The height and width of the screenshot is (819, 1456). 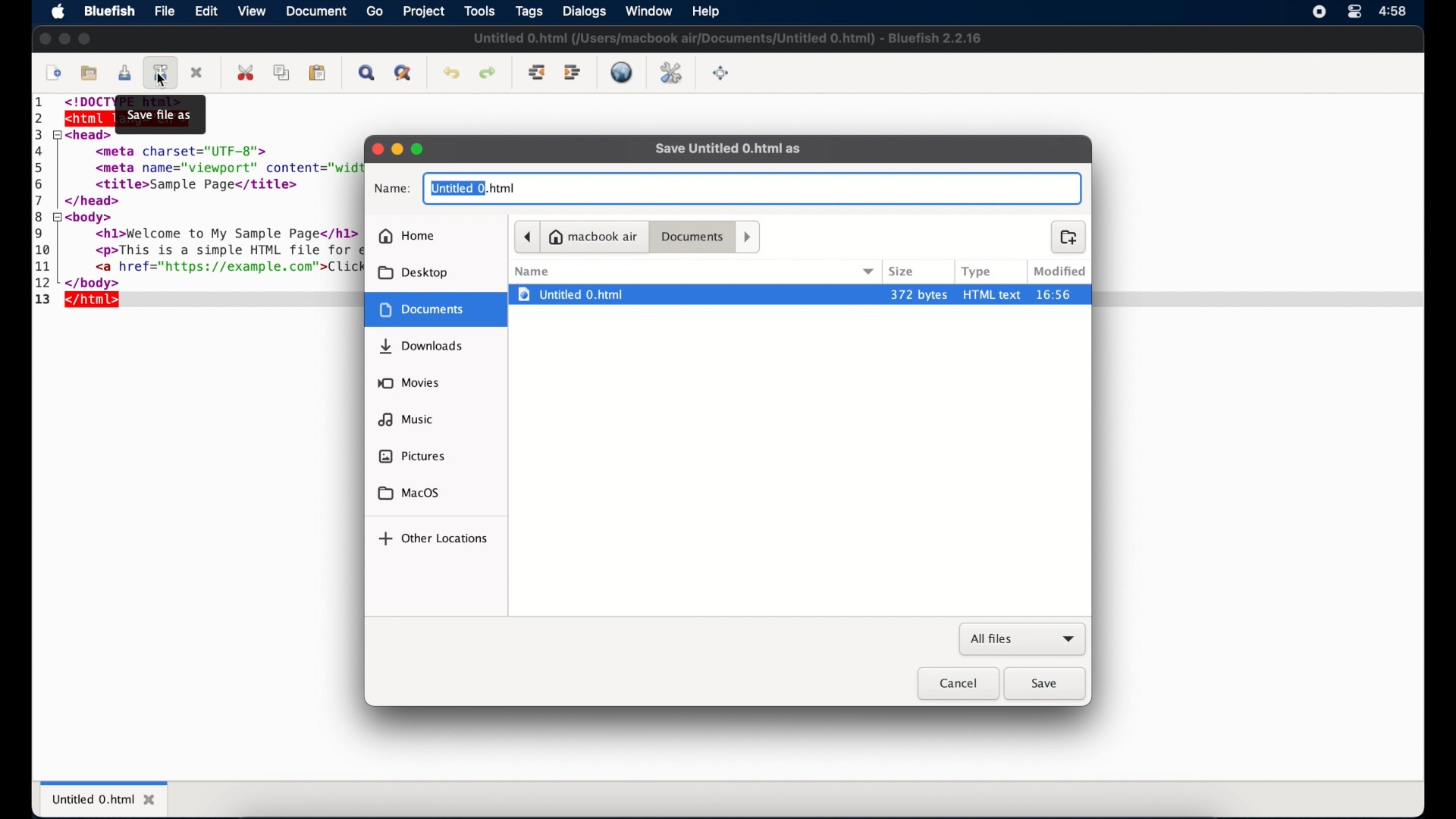 What do you see at coordinates (58, 12) in the screenshot?
I see `apple icon` at bounding box center [58, 12].